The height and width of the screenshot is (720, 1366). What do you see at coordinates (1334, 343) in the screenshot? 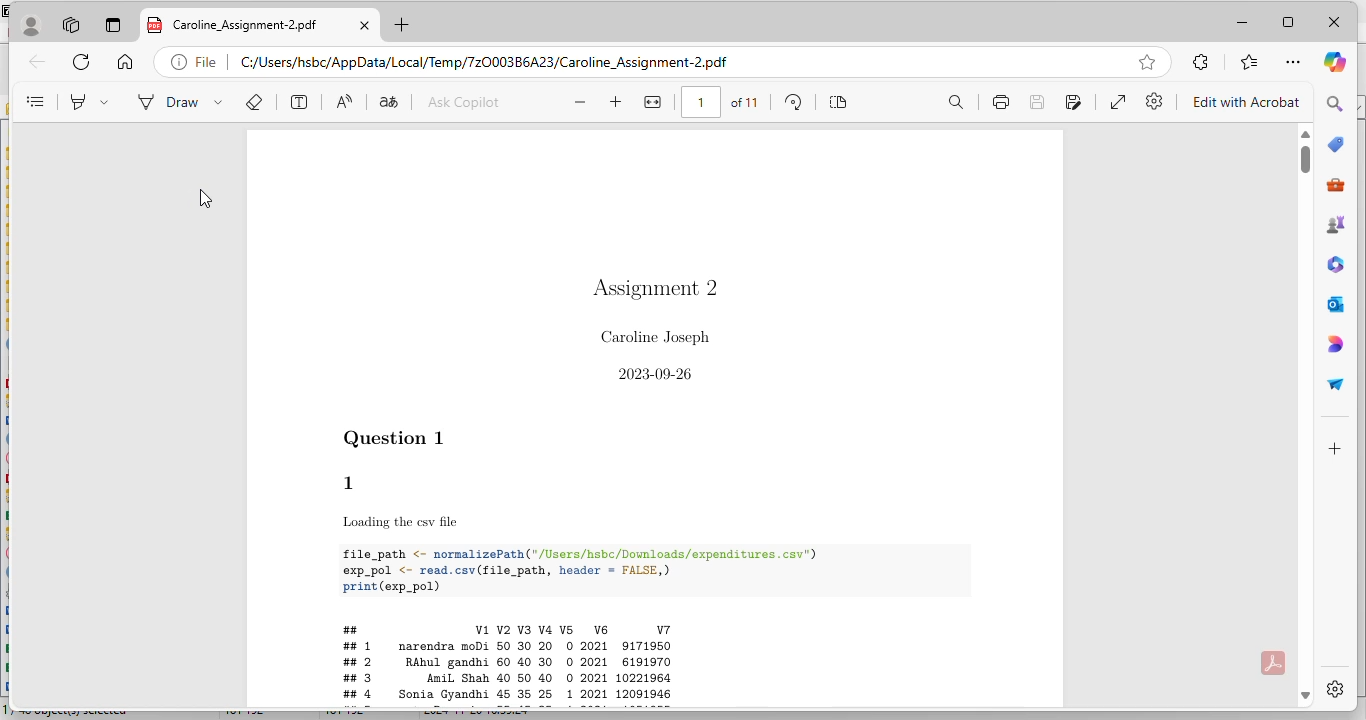
I see `image creator from designer` at bounding box center [1334, 343].